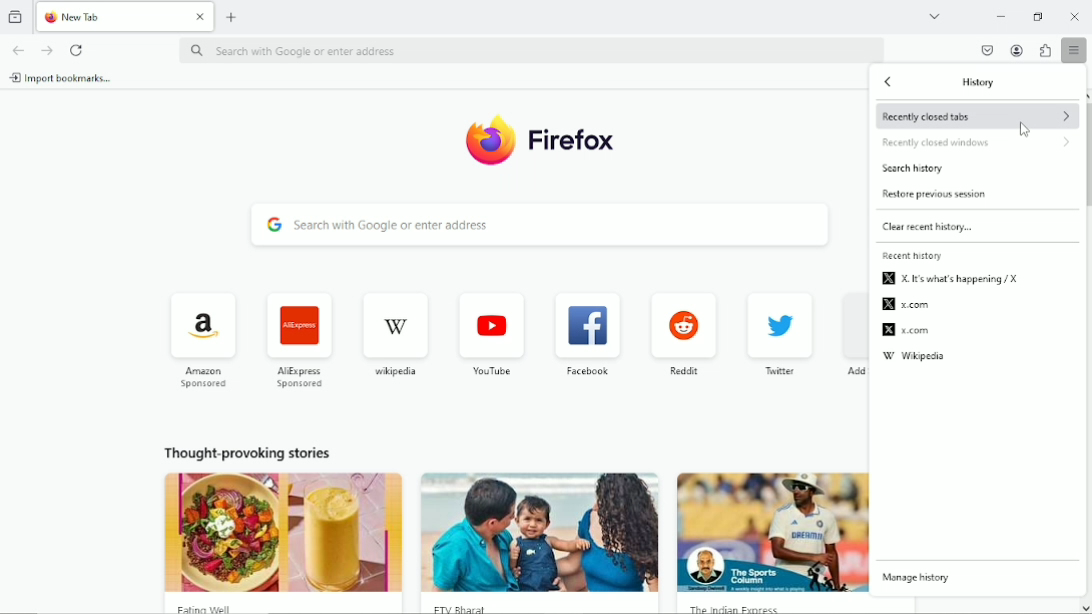 The image size is (1092, 614). What do you see at coordinates (1037, 18) in the screenshot?
I see `restore down` at bounding box center [1037, 18].